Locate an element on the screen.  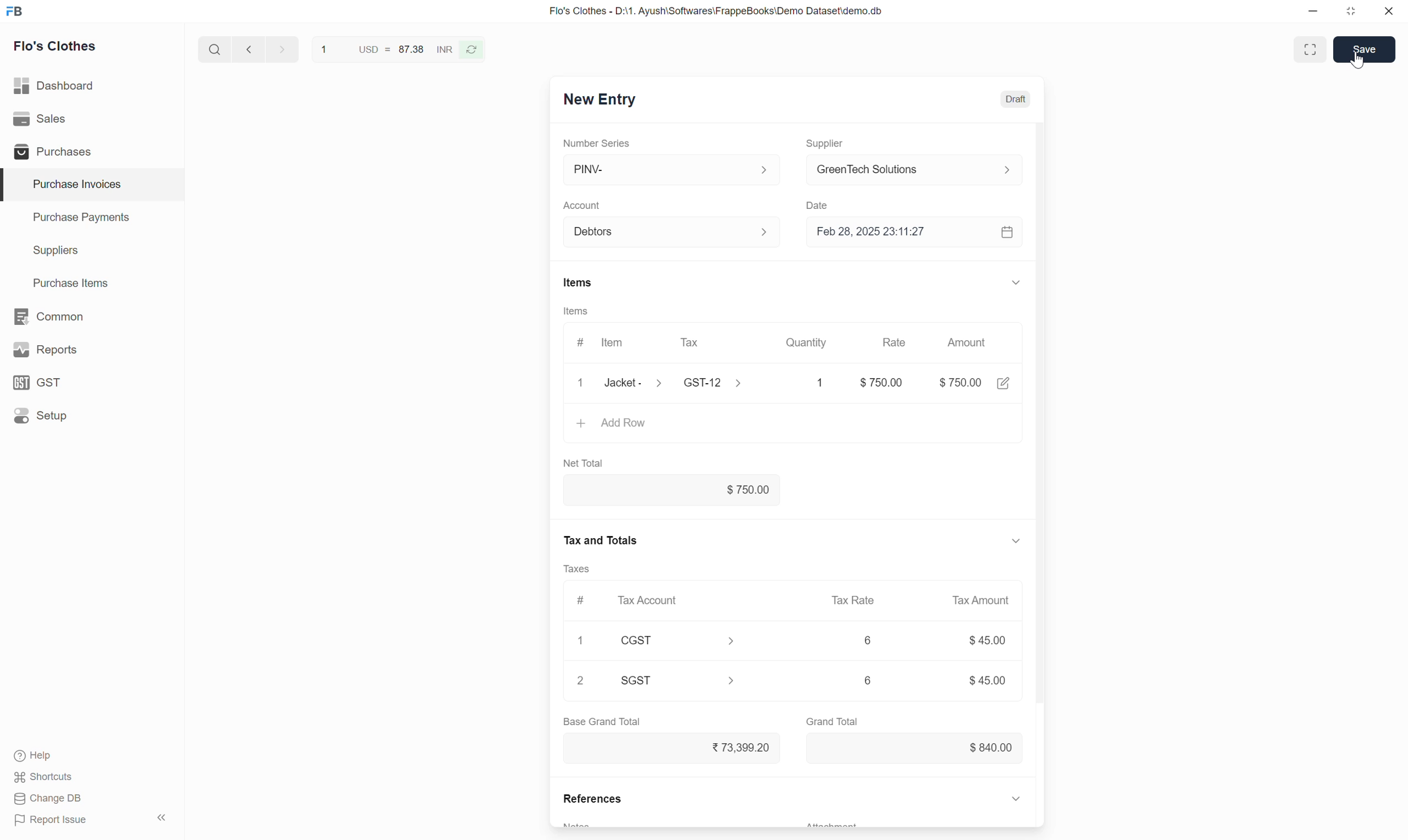
Taxes is located at coordinates (576, 569).